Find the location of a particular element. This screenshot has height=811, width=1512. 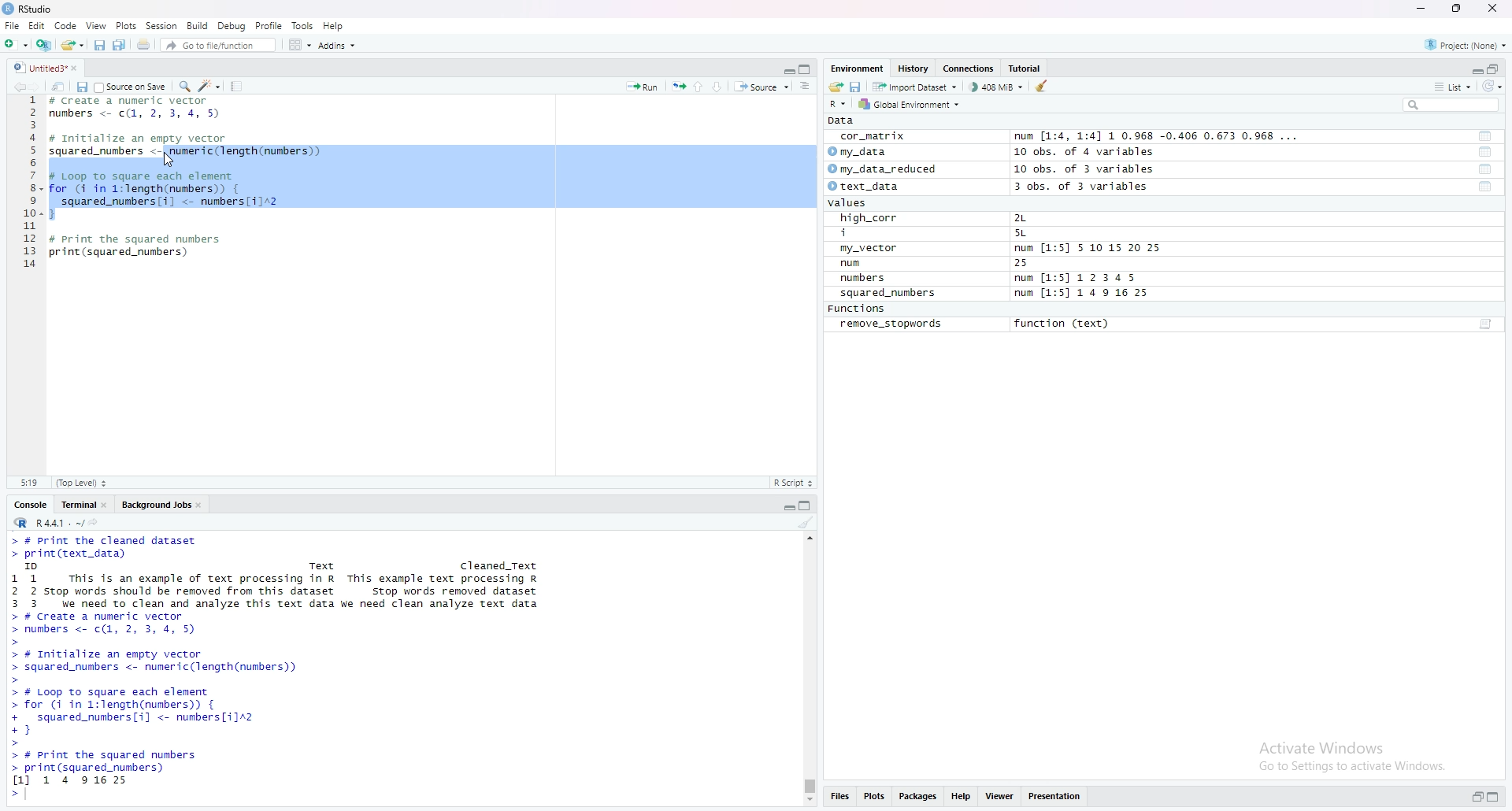

high_corr is located at coordinates (870, 218).